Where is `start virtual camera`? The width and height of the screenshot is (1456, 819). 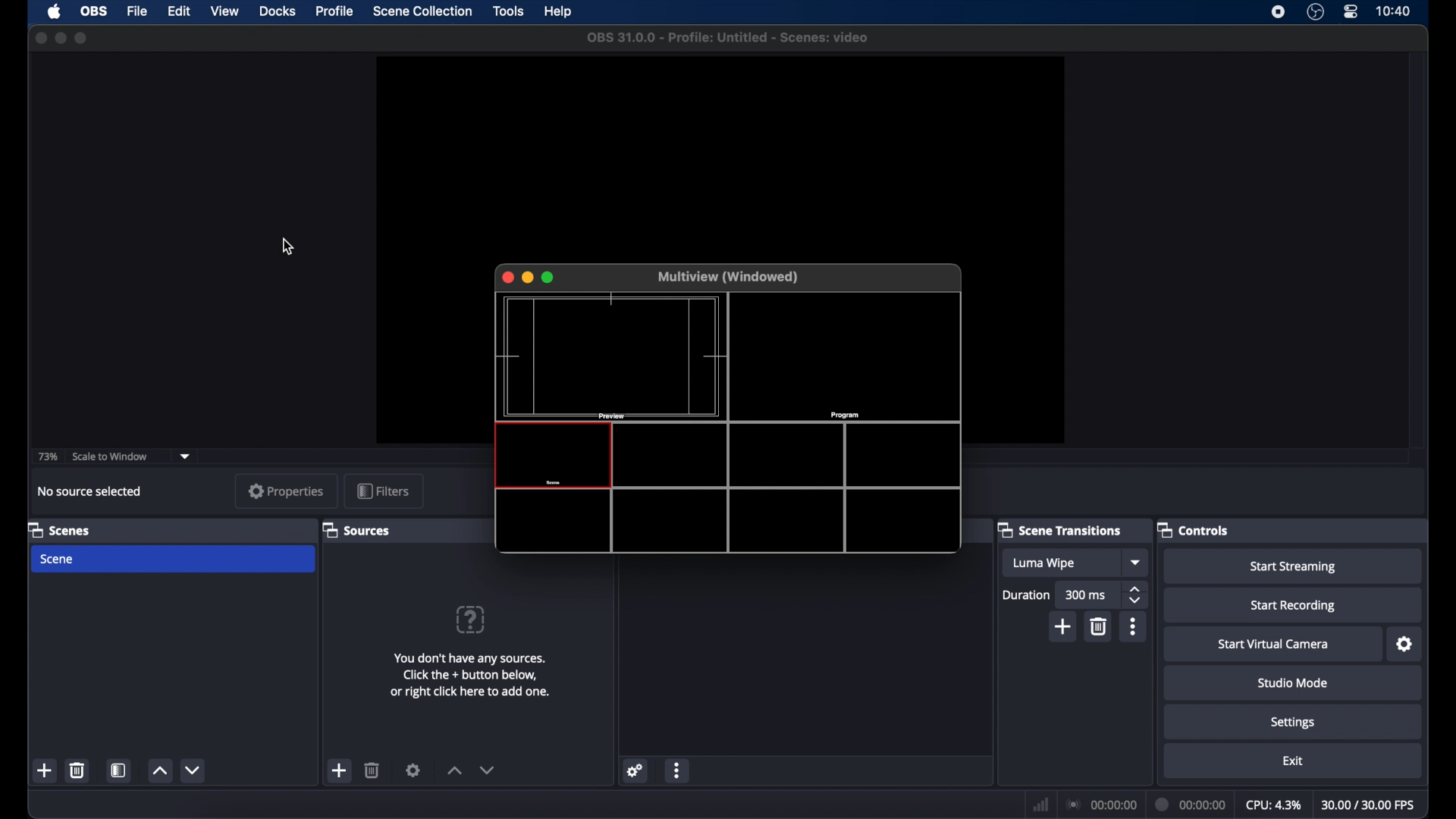
start virtual camera is located at coordinates (1272, 644).